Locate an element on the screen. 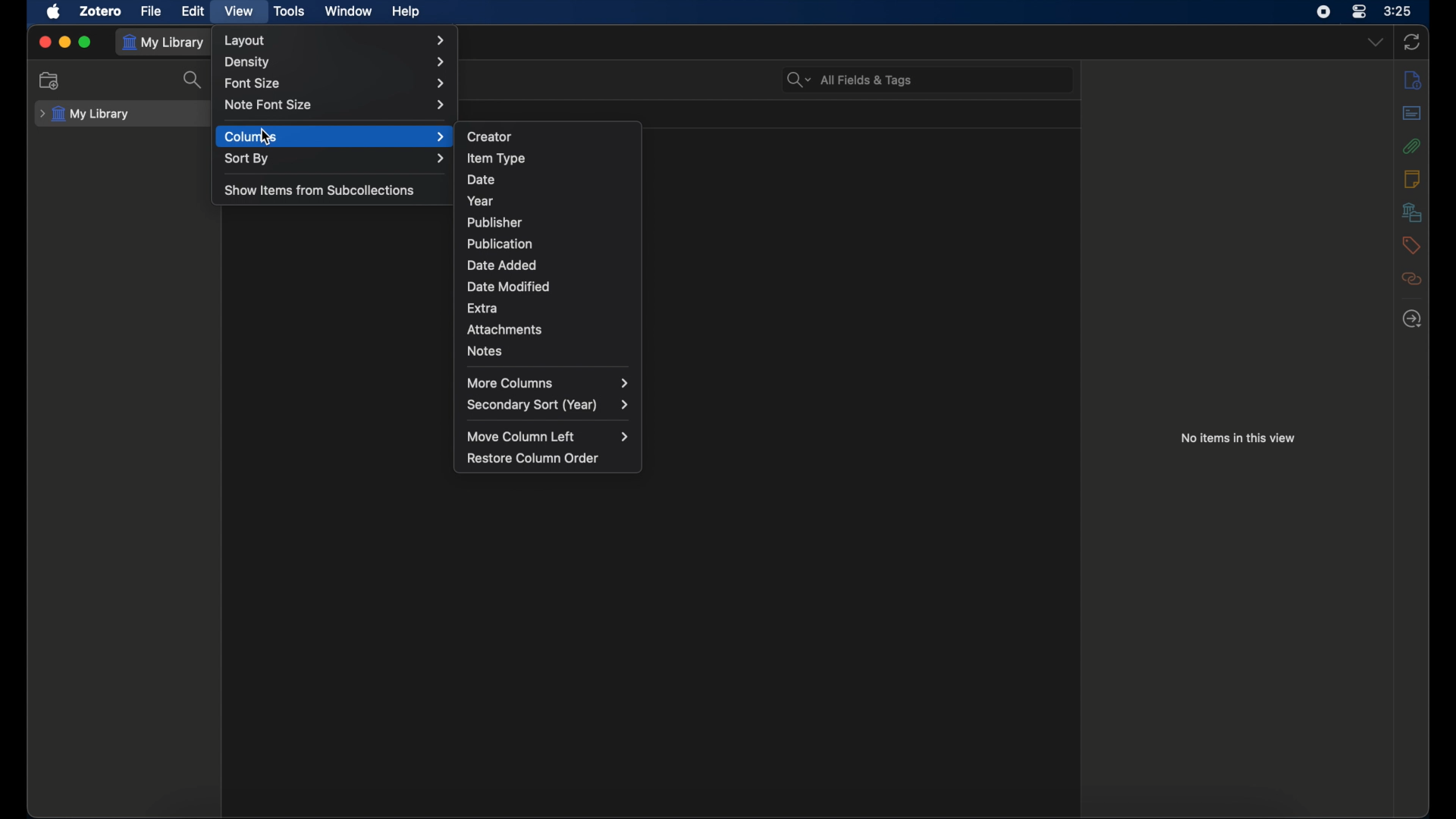 Image resolution: width=1456 pixels, height=819 pixels. date is located at coordinates (481, 179).